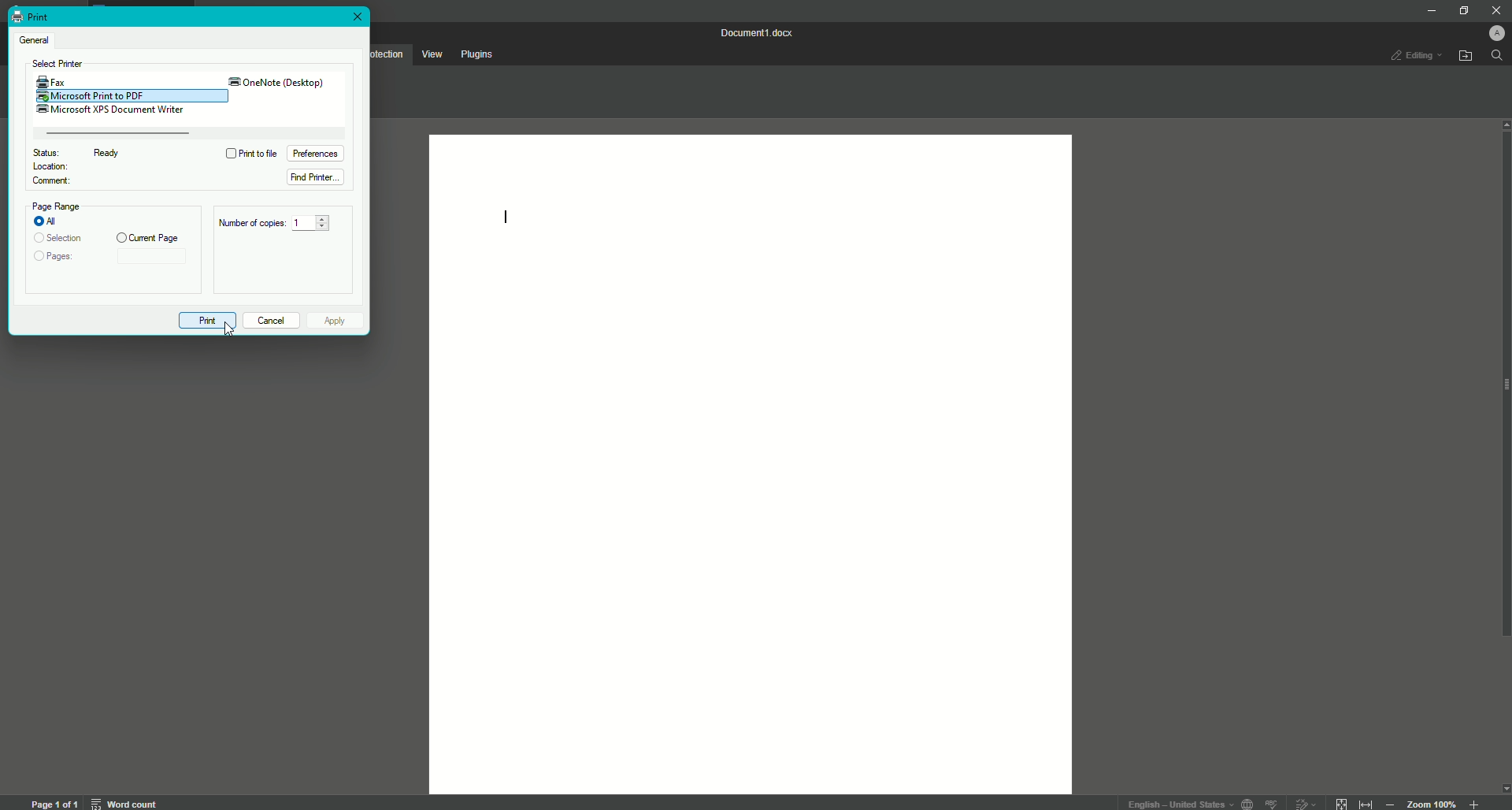 This screenshot has height=810, width=1512. What do you see at coordinates (1498, 60) in the screenshot?
I see `Search` at bounding box center [1498, 60].